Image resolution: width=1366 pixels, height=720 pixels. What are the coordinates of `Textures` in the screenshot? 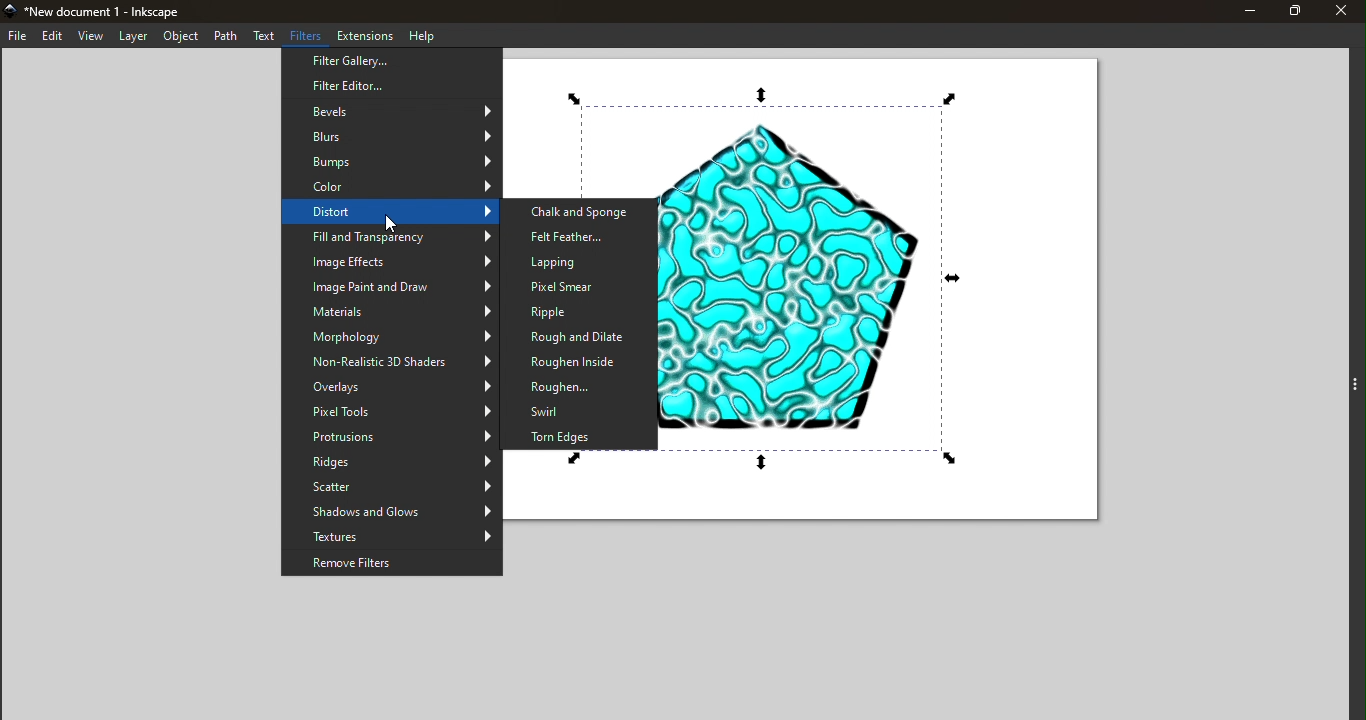 It's located at (392, 537).